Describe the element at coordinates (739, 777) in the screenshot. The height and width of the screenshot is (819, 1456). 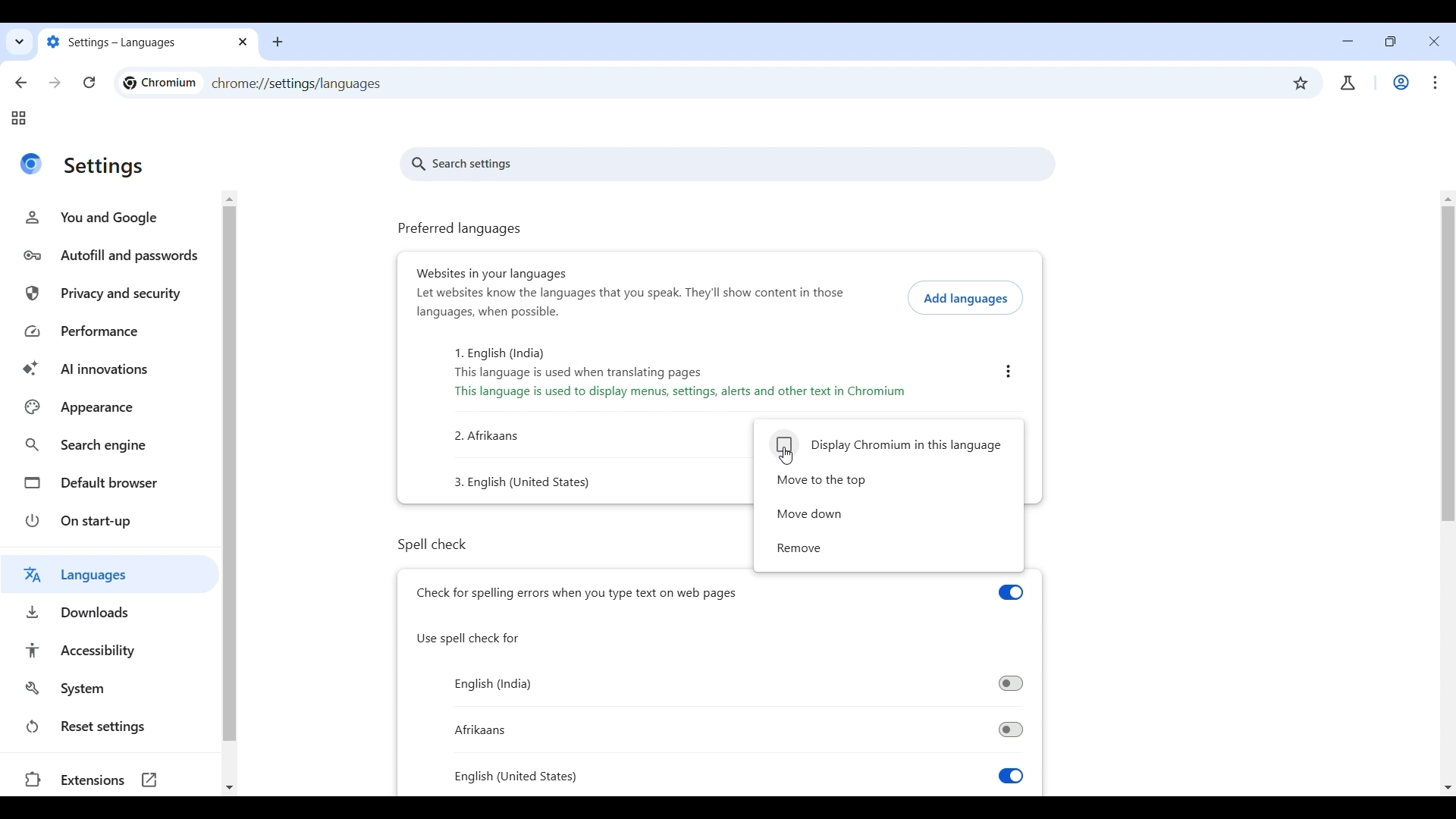
I see `Toggle for spell check in English (US)` at that location.